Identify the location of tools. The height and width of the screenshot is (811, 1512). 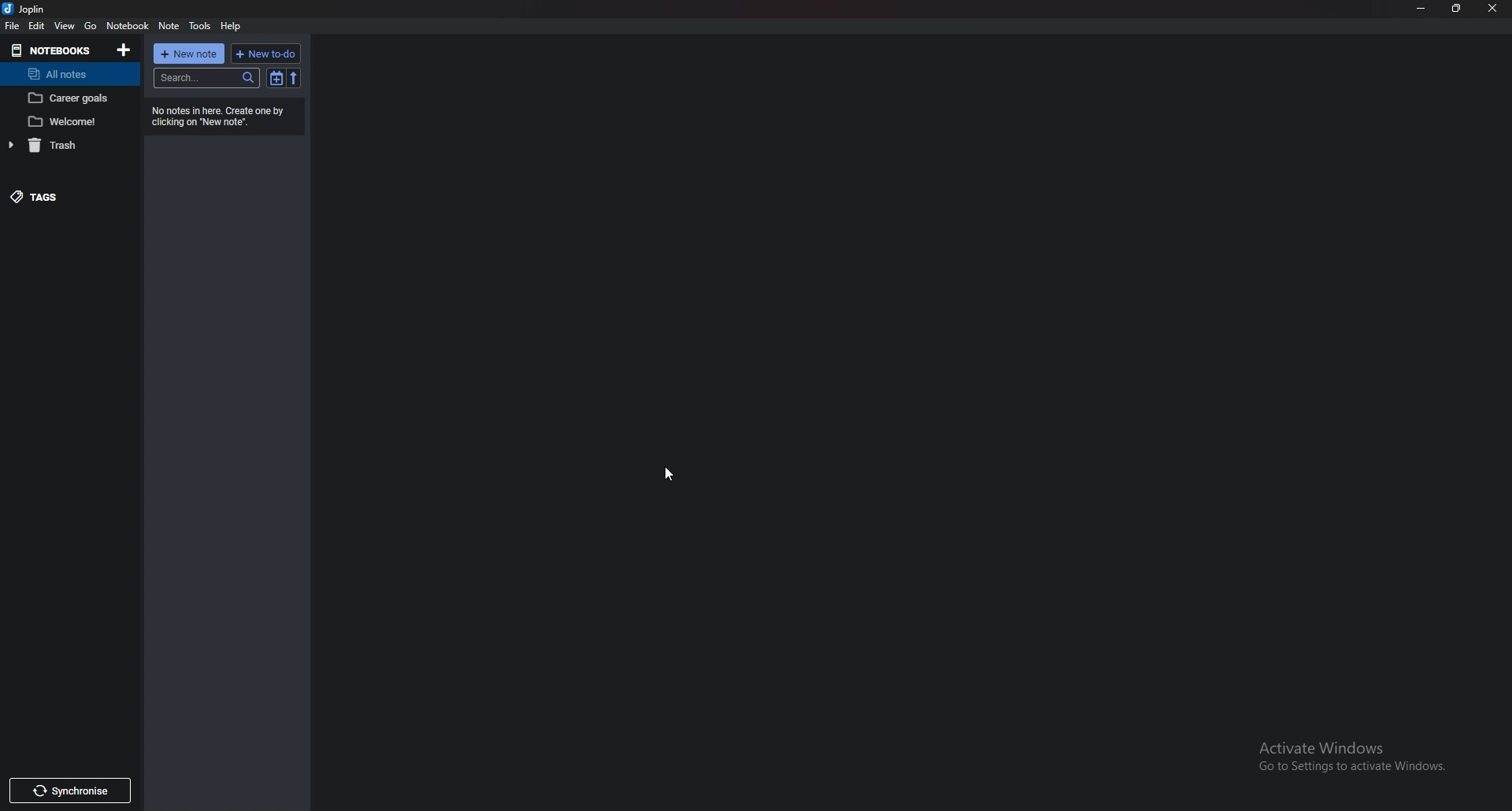
(201, 26).